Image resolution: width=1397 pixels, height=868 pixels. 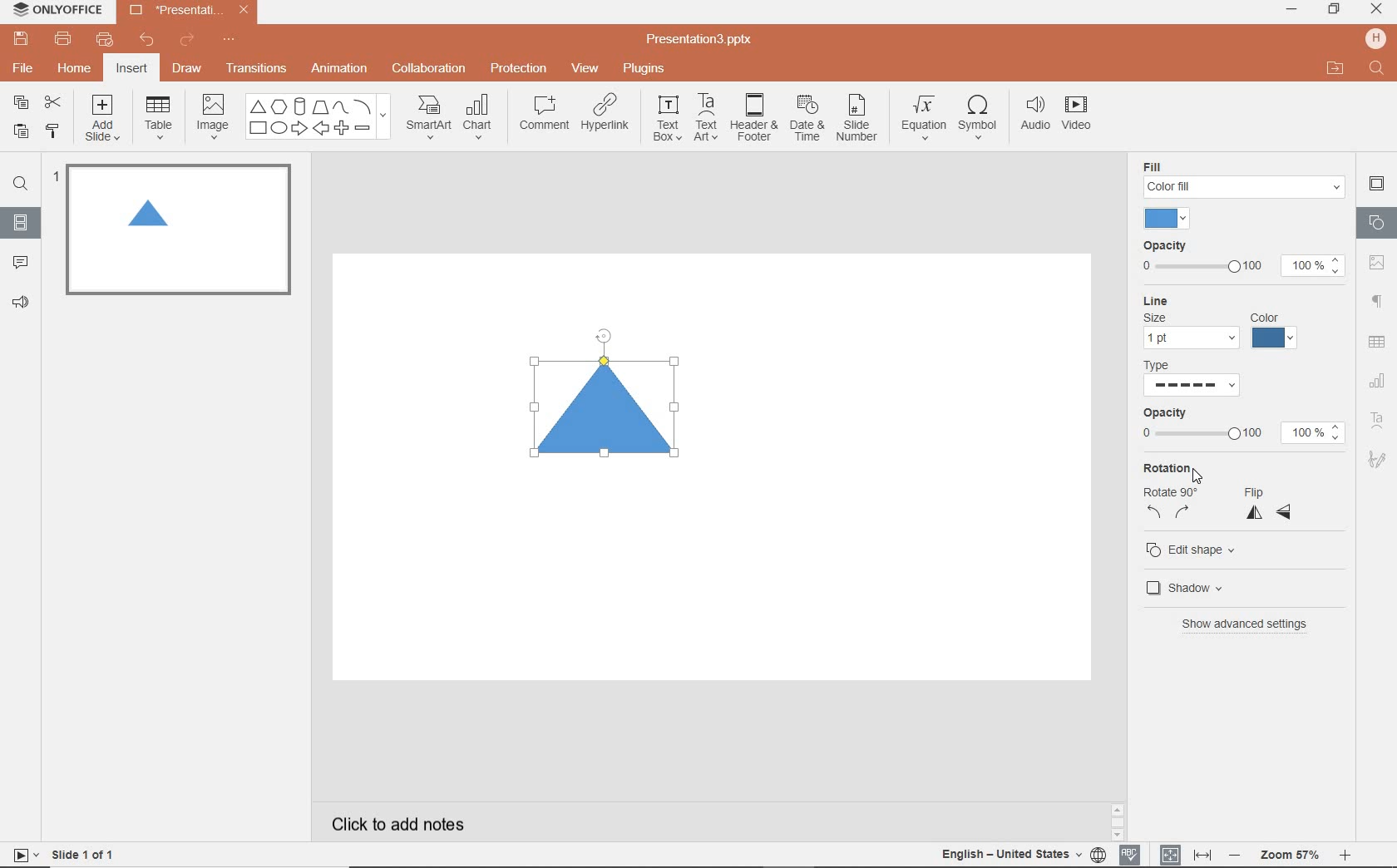 What do you see at coordinates (1240, 259) in the screenshot?
I see `opacity` at bounding box center [1240, 259].